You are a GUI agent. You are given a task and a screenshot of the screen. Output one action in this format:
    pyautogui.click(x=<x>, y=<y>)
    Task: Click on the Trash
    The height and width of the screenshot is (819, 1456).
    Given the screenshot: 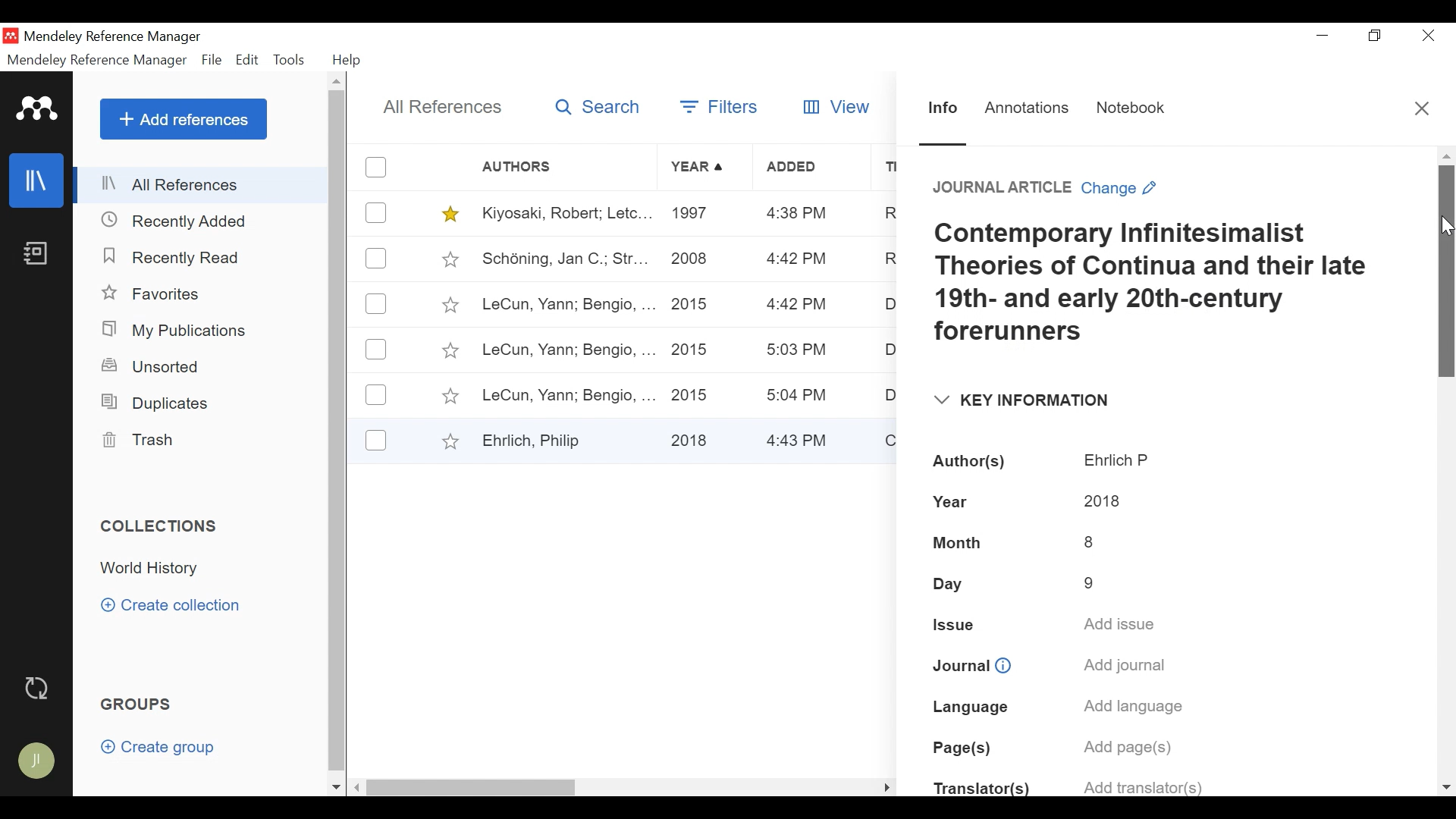 What is the action you would take?
    pyautogui.click(x=142, y=441)
    